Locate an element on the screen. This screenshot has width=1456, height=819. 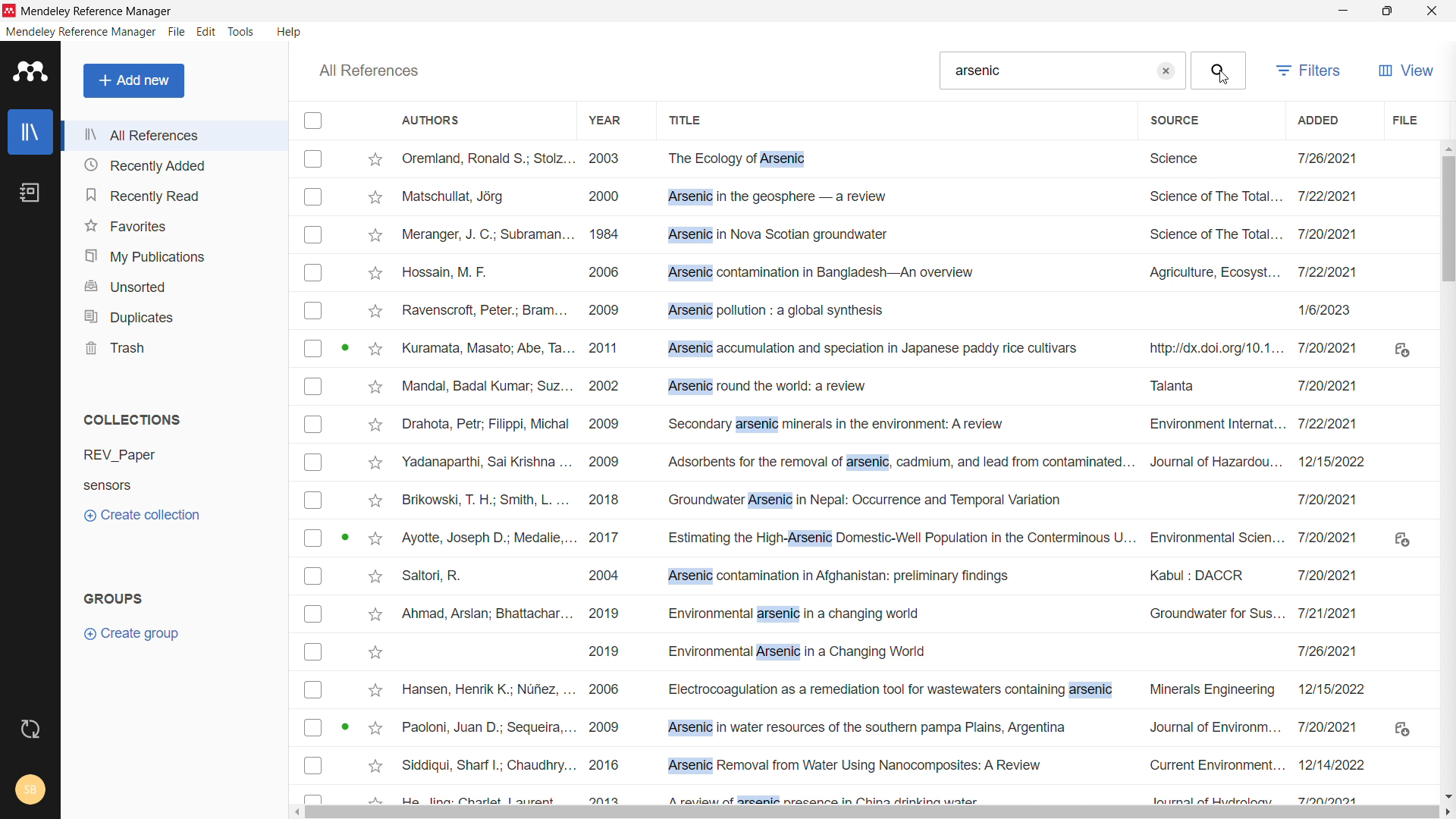
Add to favorites is located at coordinates (373, 385).